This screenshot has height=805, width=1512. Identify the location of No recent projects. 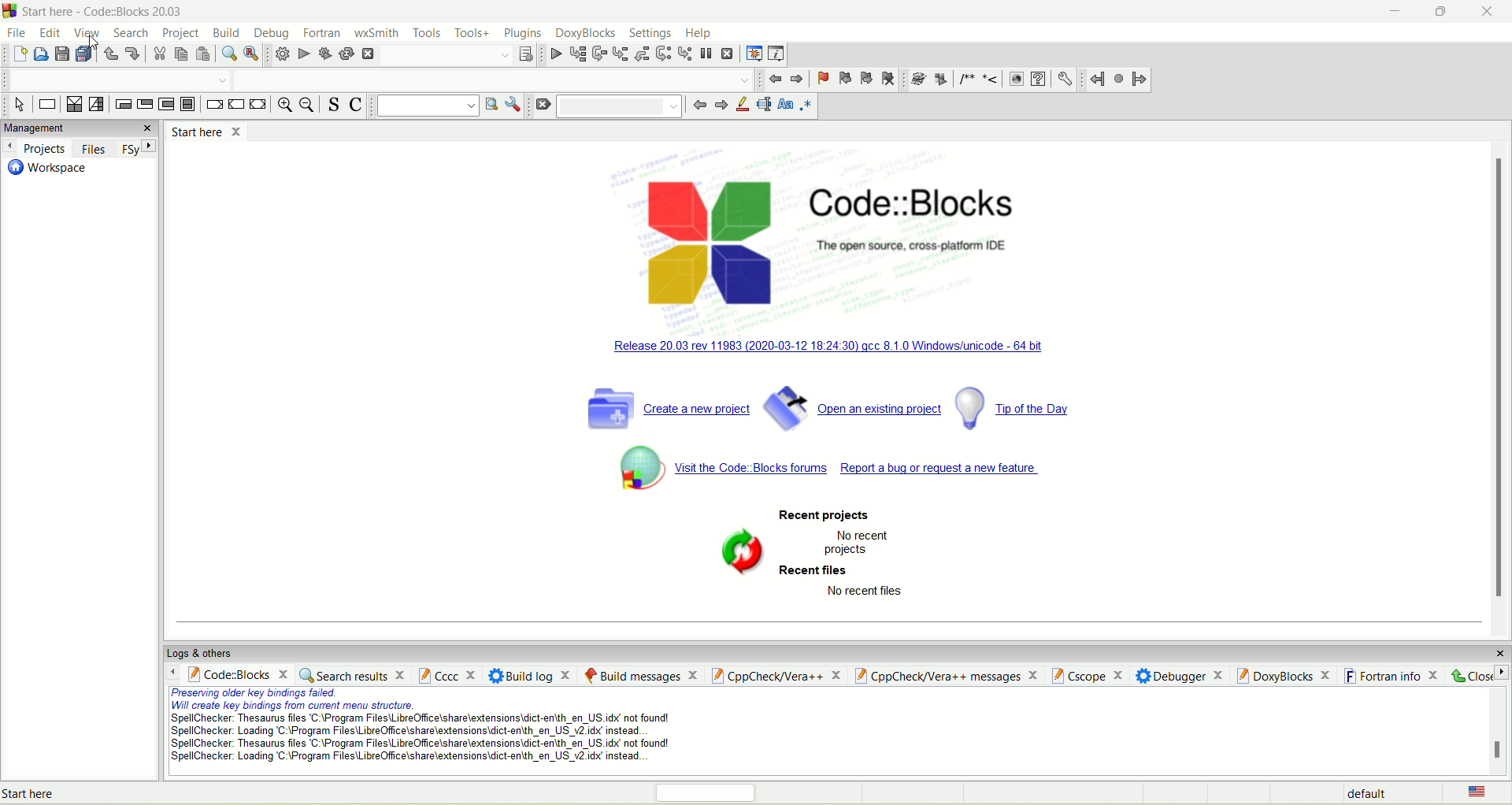
(858, 543).